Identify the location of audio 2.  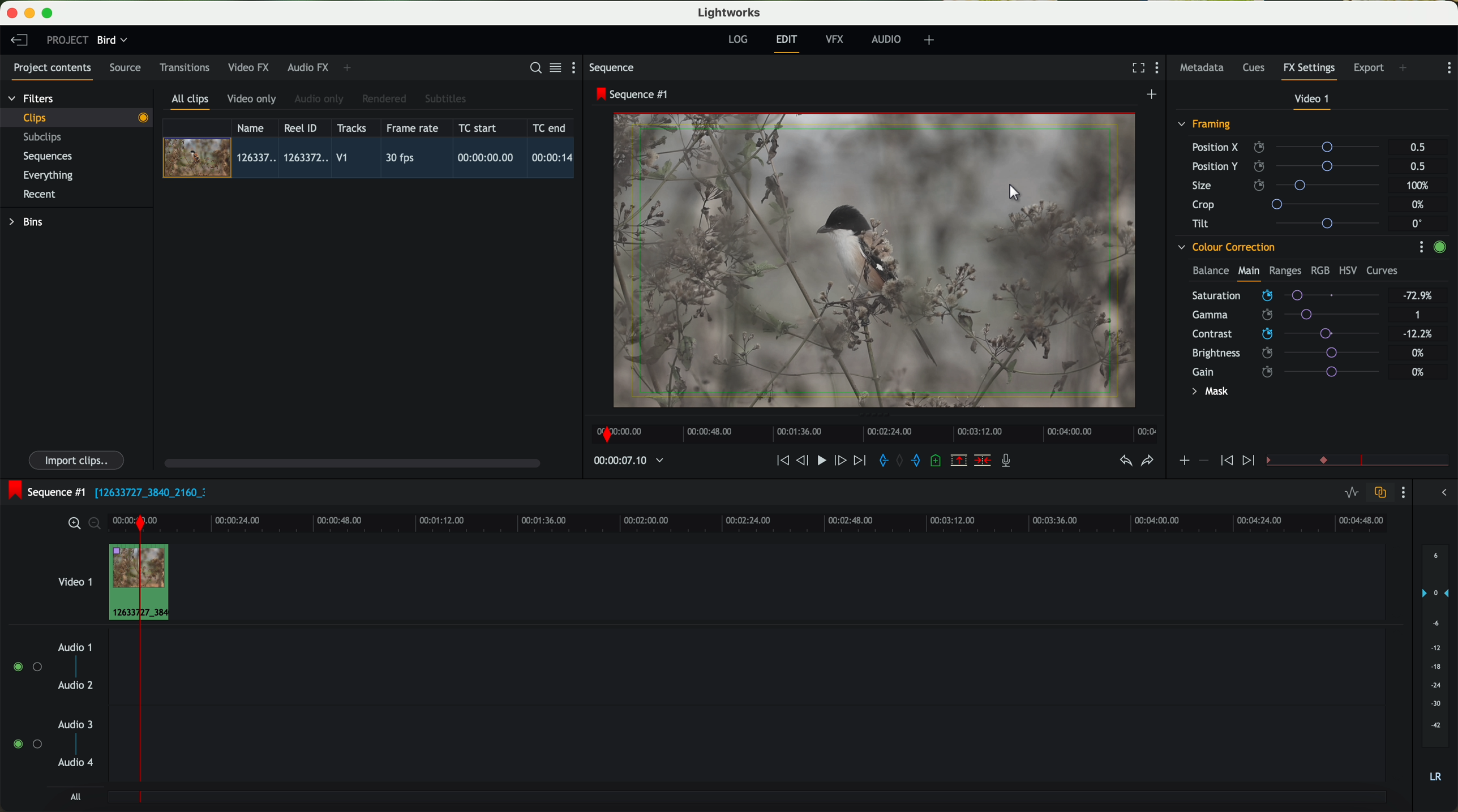
(76, 686).